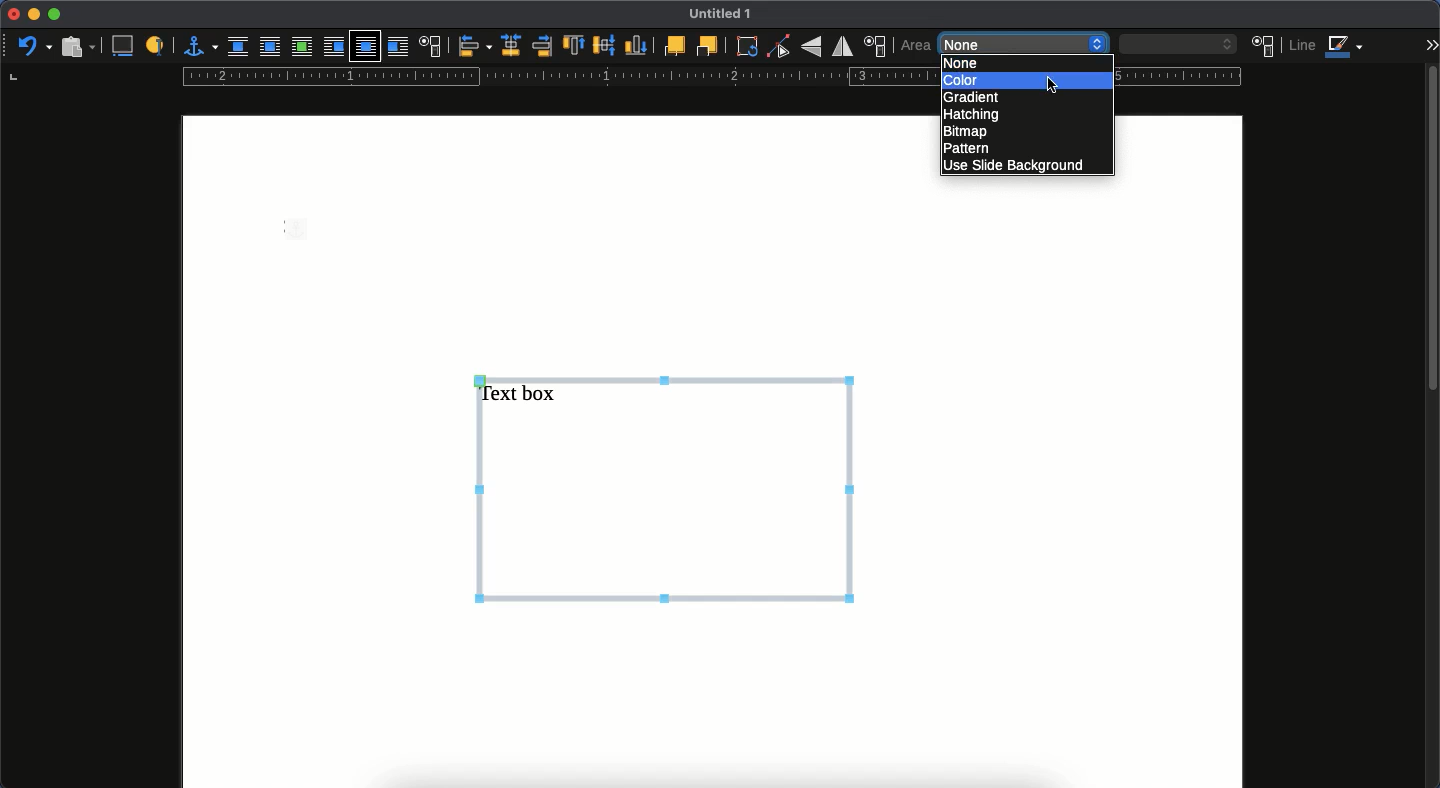  I want to click on pattern, so click(969, 149).